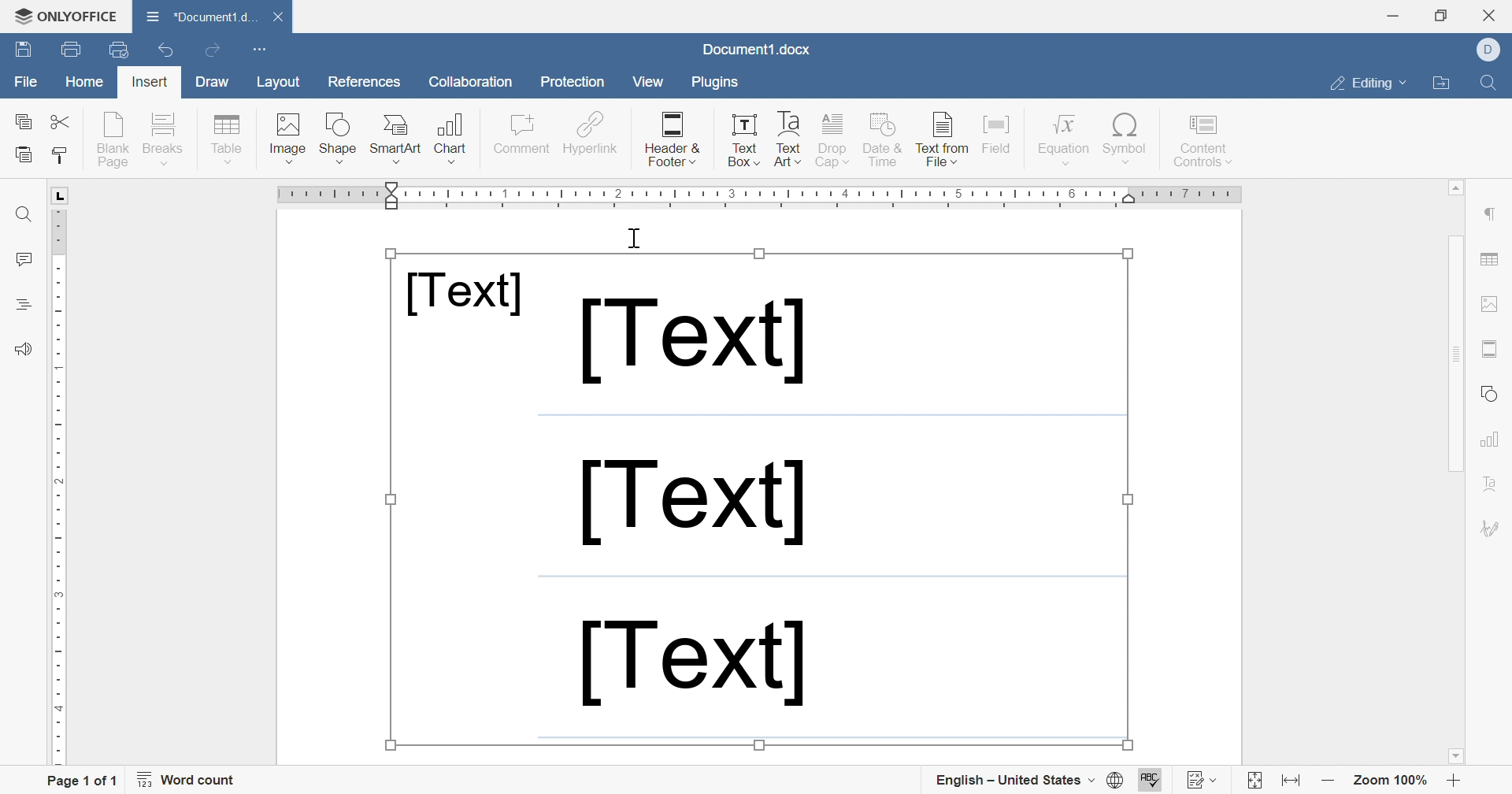 This screenshot has width=1512, height=794. What do you see at coordinates (1492, 531) in the screenshot?
I see `Signature settings` at bounding box center [1492, 531].